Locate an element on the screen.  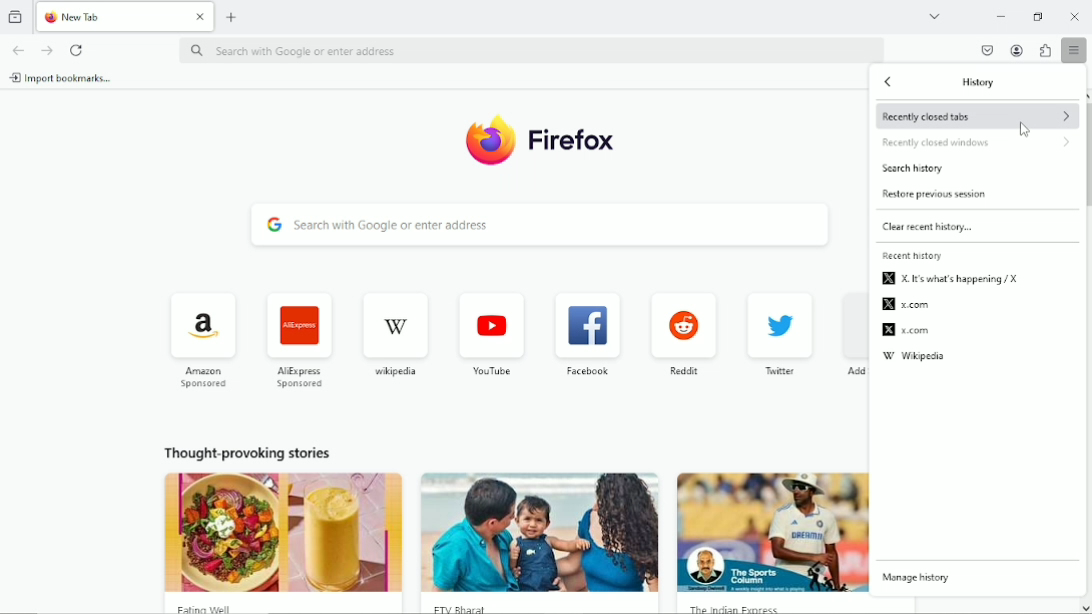
image is located at coordinates (541, 532).